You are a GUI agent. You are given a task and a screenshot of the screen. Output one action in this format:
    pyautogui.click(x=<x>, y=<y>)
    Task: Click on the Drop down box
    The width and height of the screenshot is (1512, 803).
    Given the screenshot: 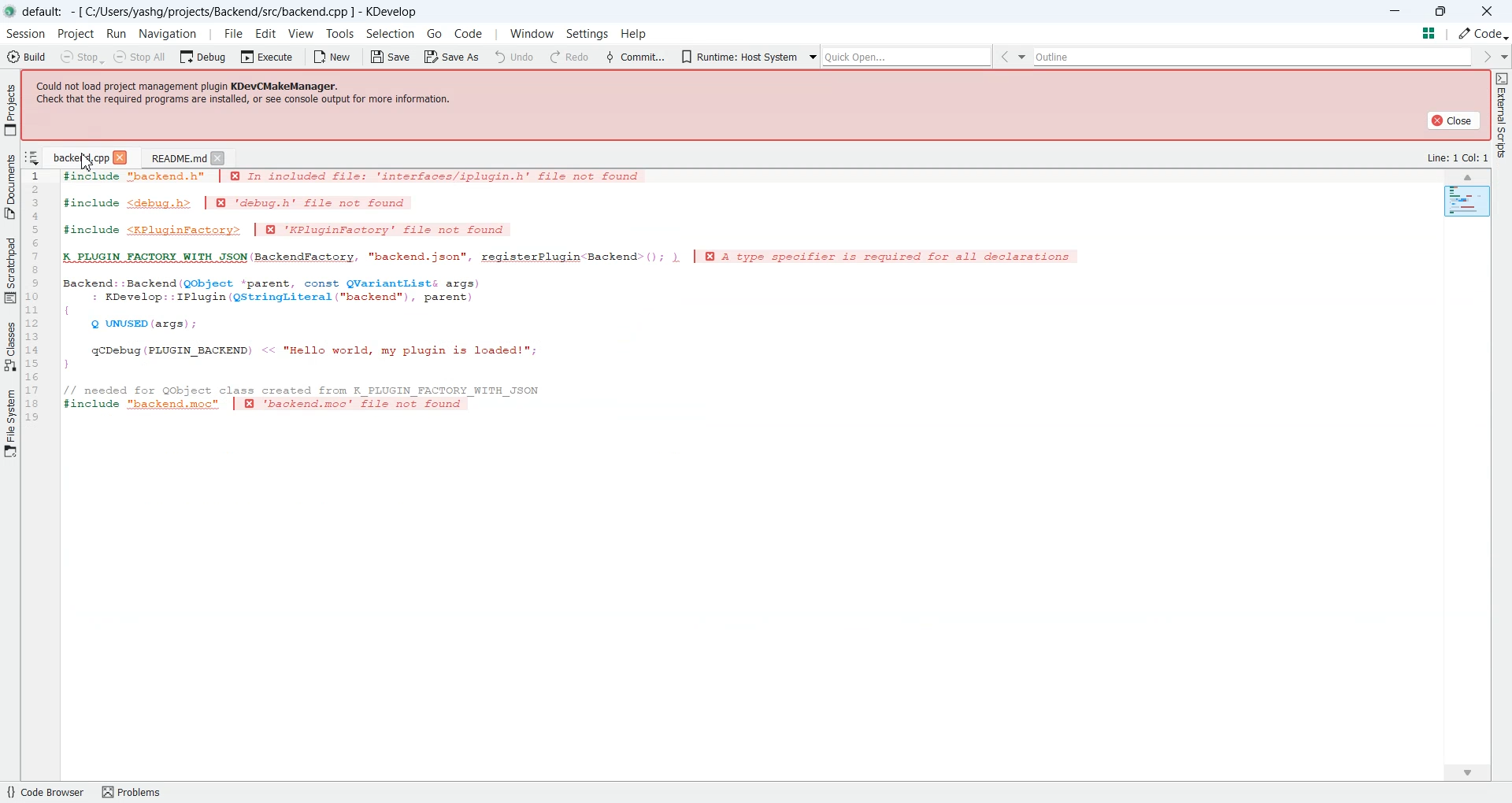 What is the action you would take?
    pyautogui.click(x=791, y=57)
    